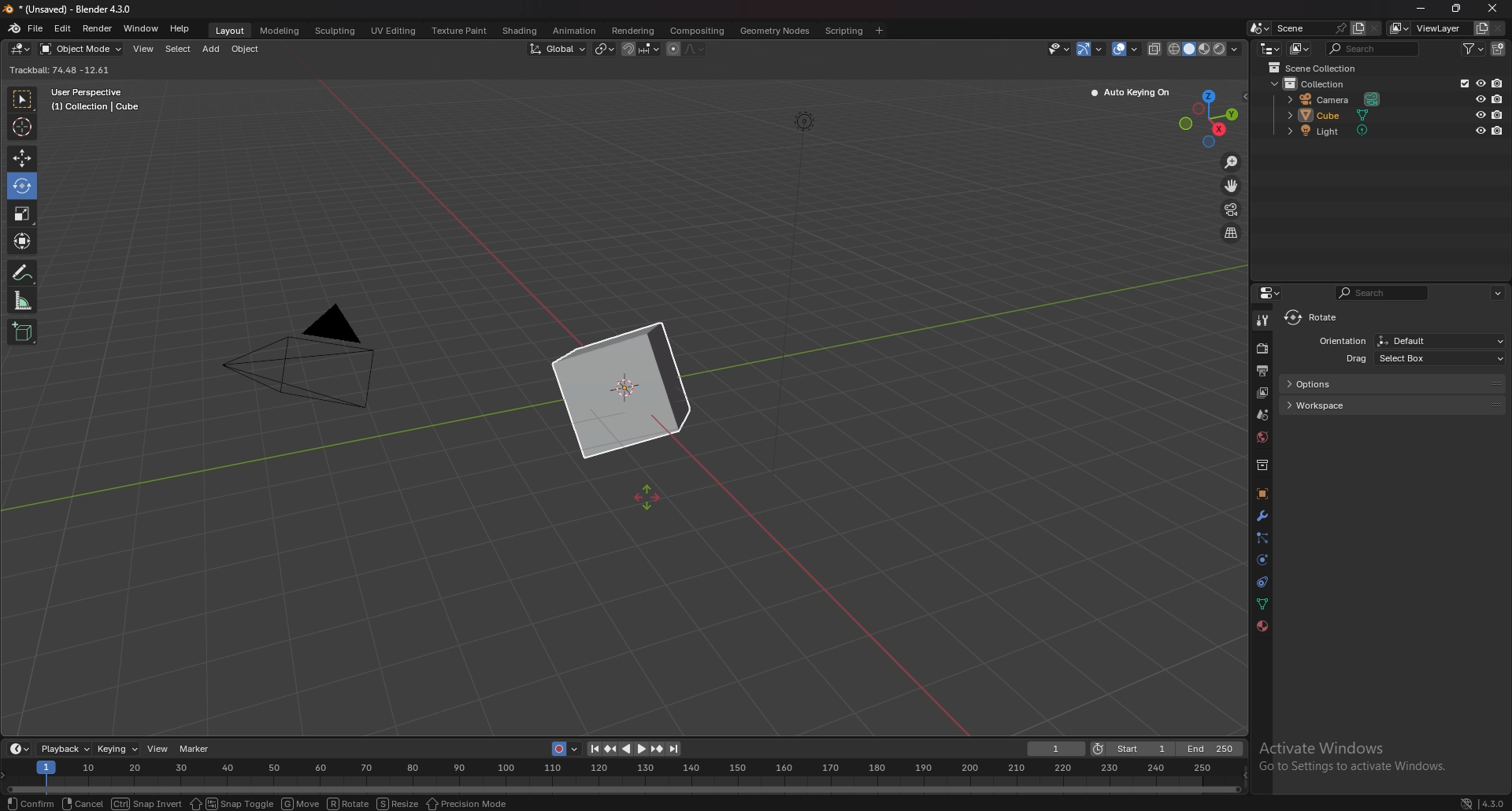 This screenshot has height=811, width=1512. I want to click on snap invert, so click(144, 804).